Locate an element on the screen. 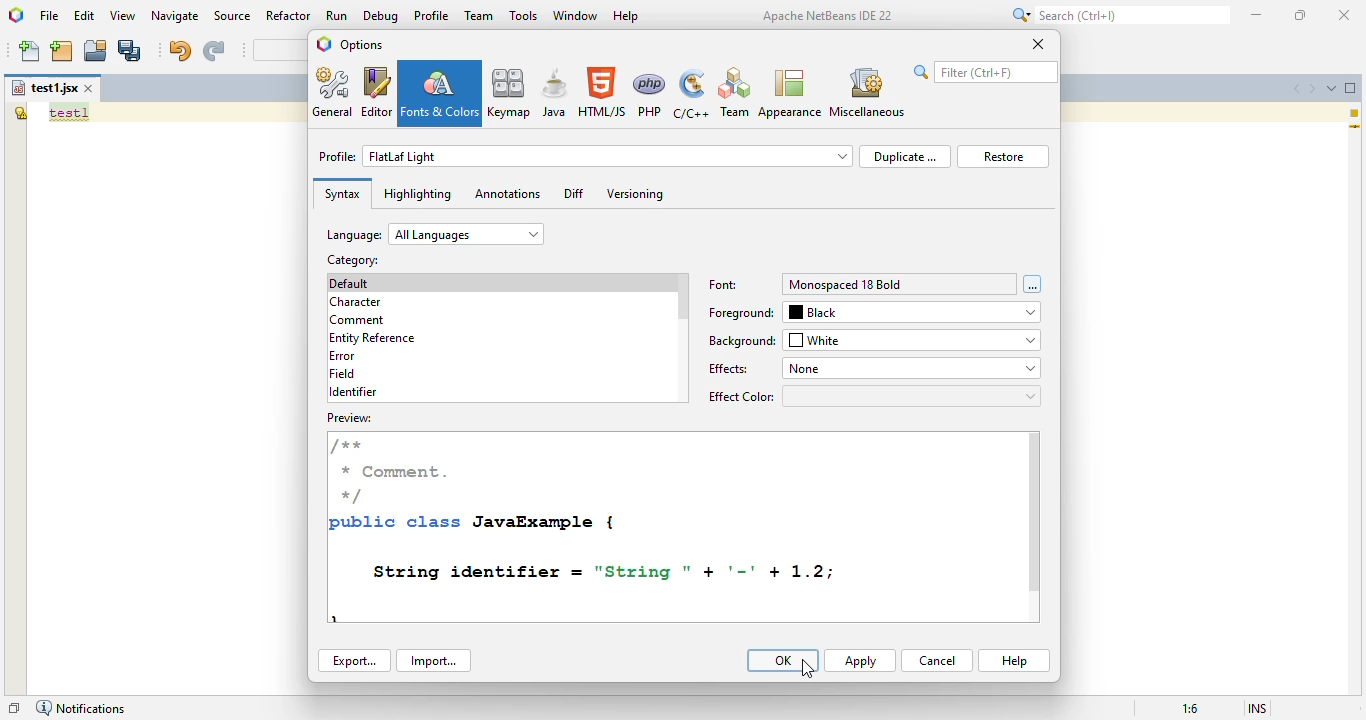  notifications is located at coordinates (80, 708).